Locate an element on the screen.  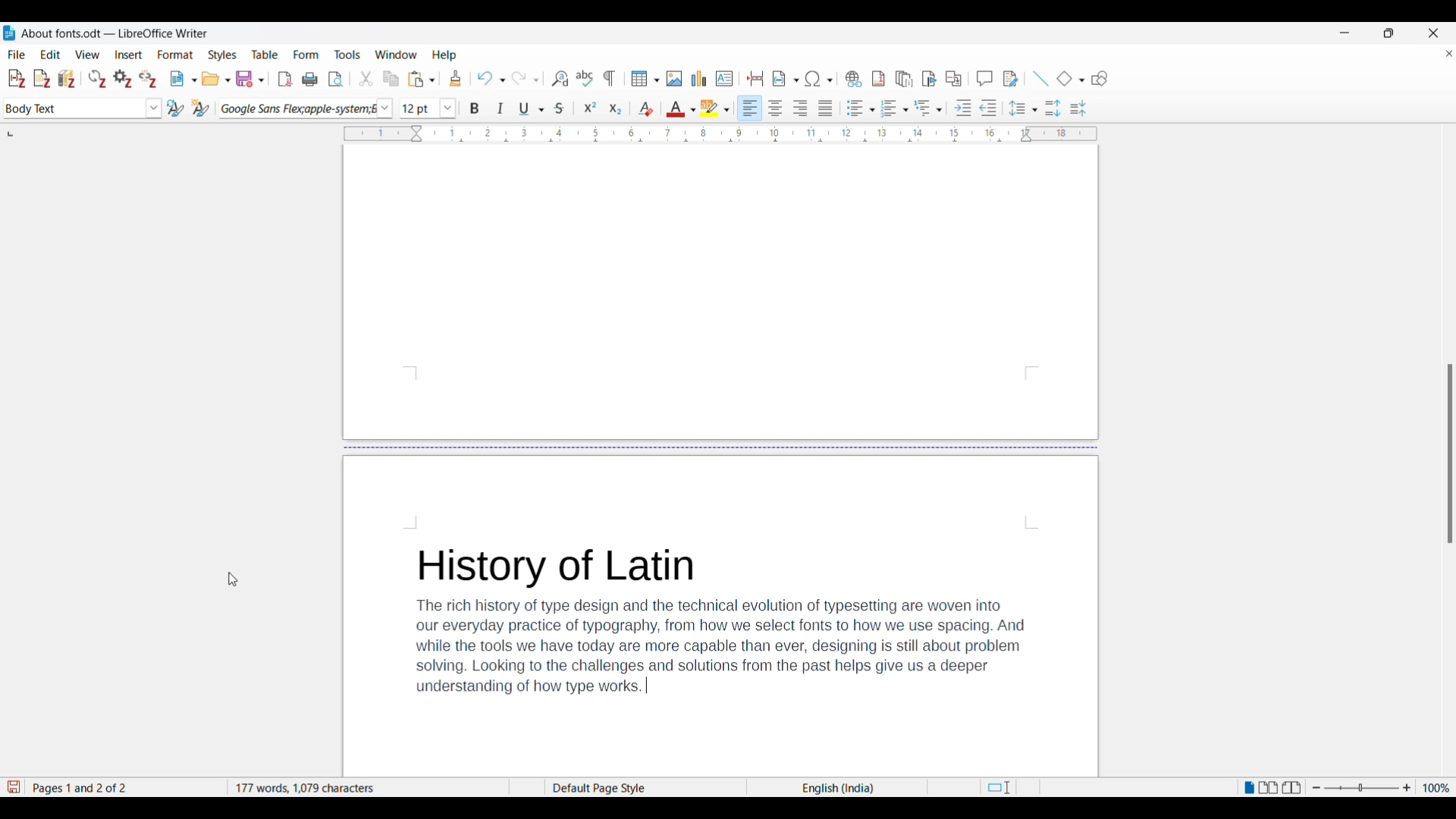
Open options is located at coordinates (216, 79).